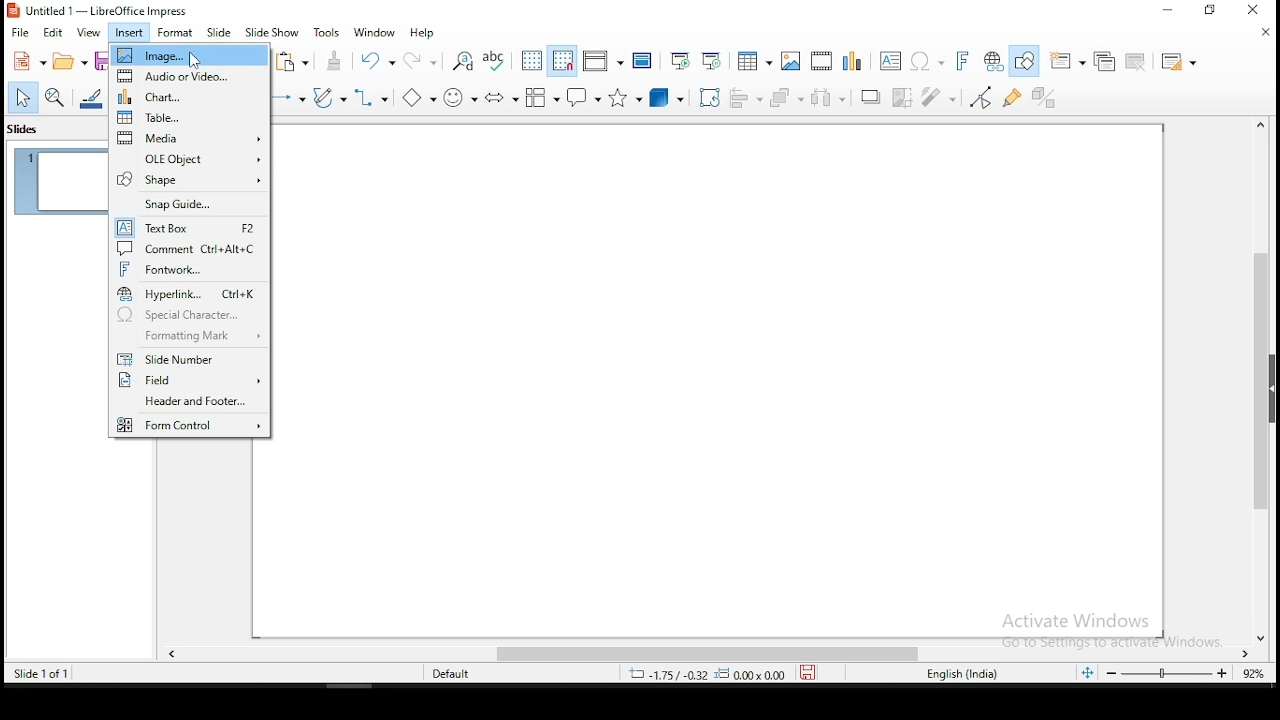 The width and height of the screenshot is (1280, 720). Describe the element at coordinates (821, 57) in the screenshot. I see `insert audio or video` at that location.